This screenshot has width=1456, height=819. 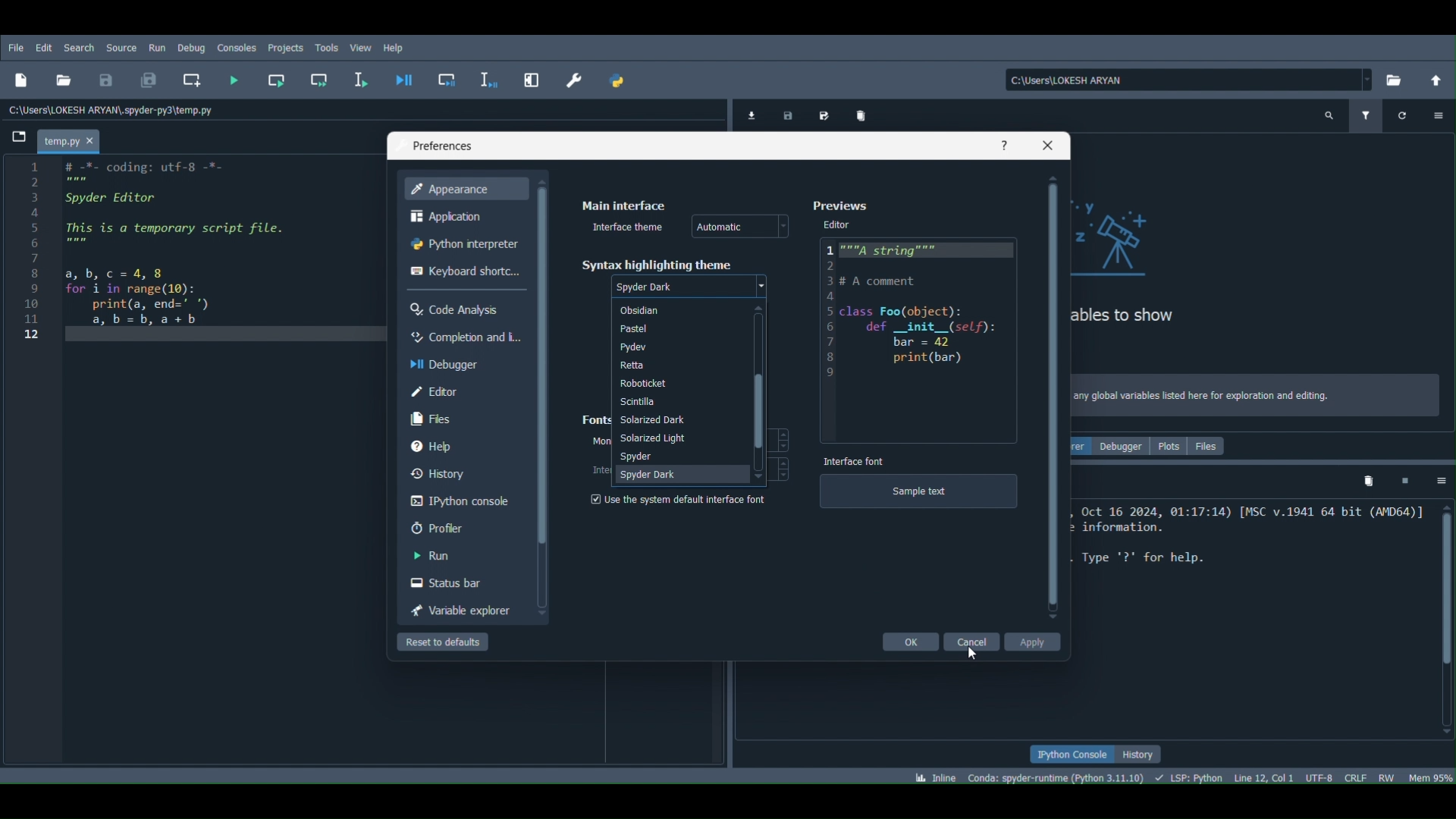 What do you see at coordinates (460, 212) in the screenshot?
I see `Application` at bounding box center [460, 212].